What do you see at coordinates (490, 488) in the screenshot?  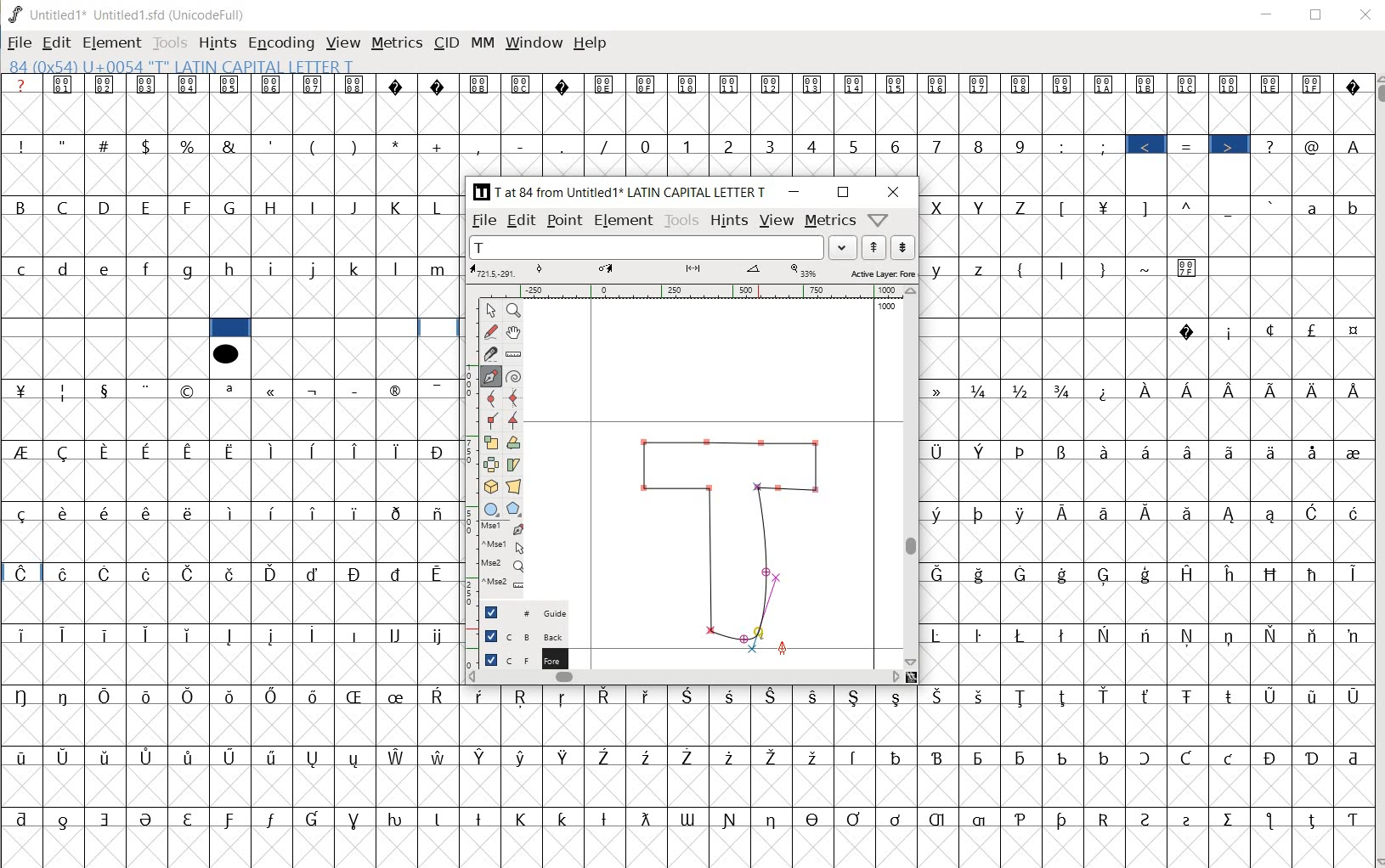 I see `3D rotate` at bounding box center [490, 488].